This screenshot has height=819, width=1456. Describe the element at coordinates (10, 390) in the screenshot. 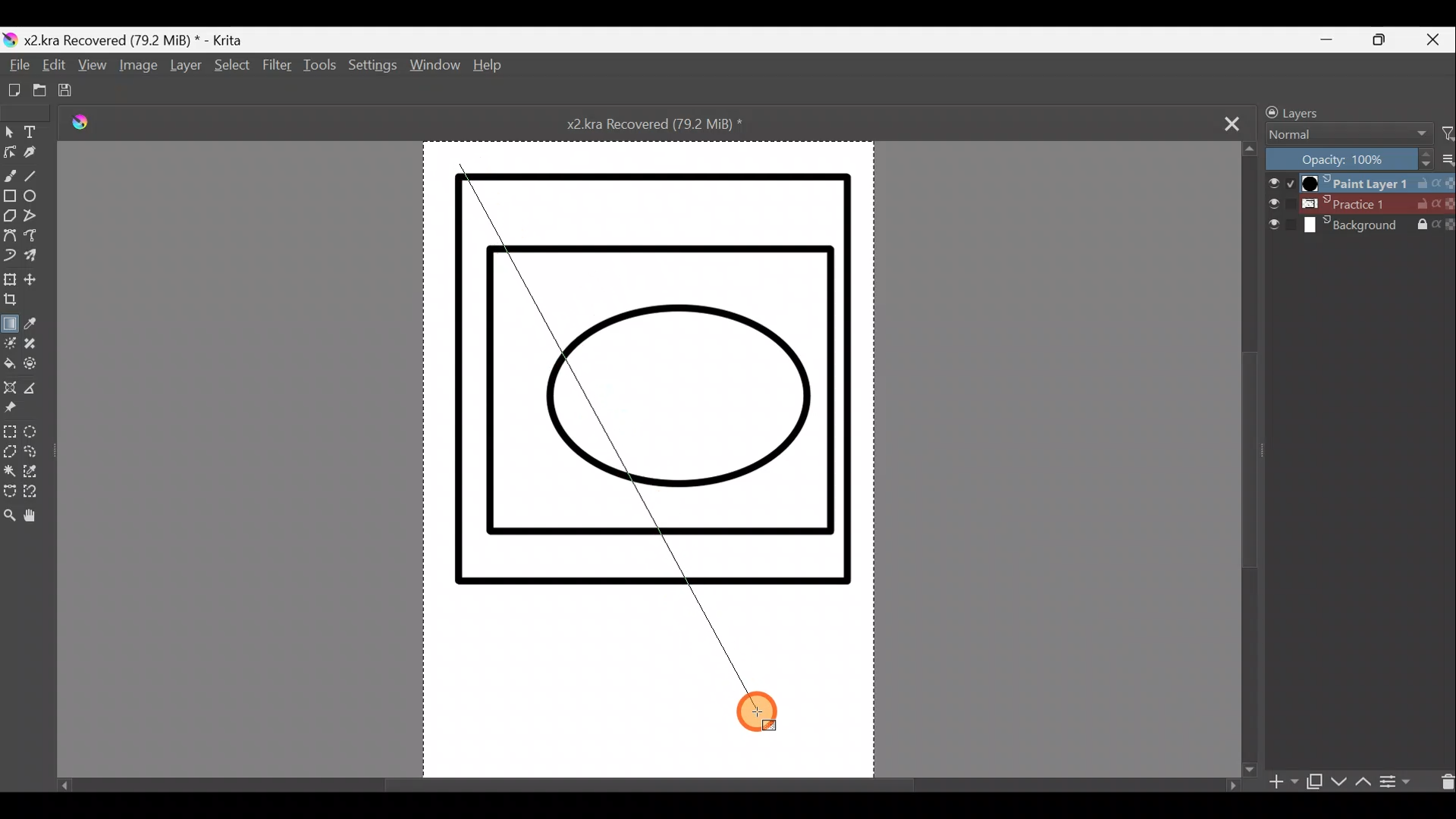

I see `Assistant tool` at that location.